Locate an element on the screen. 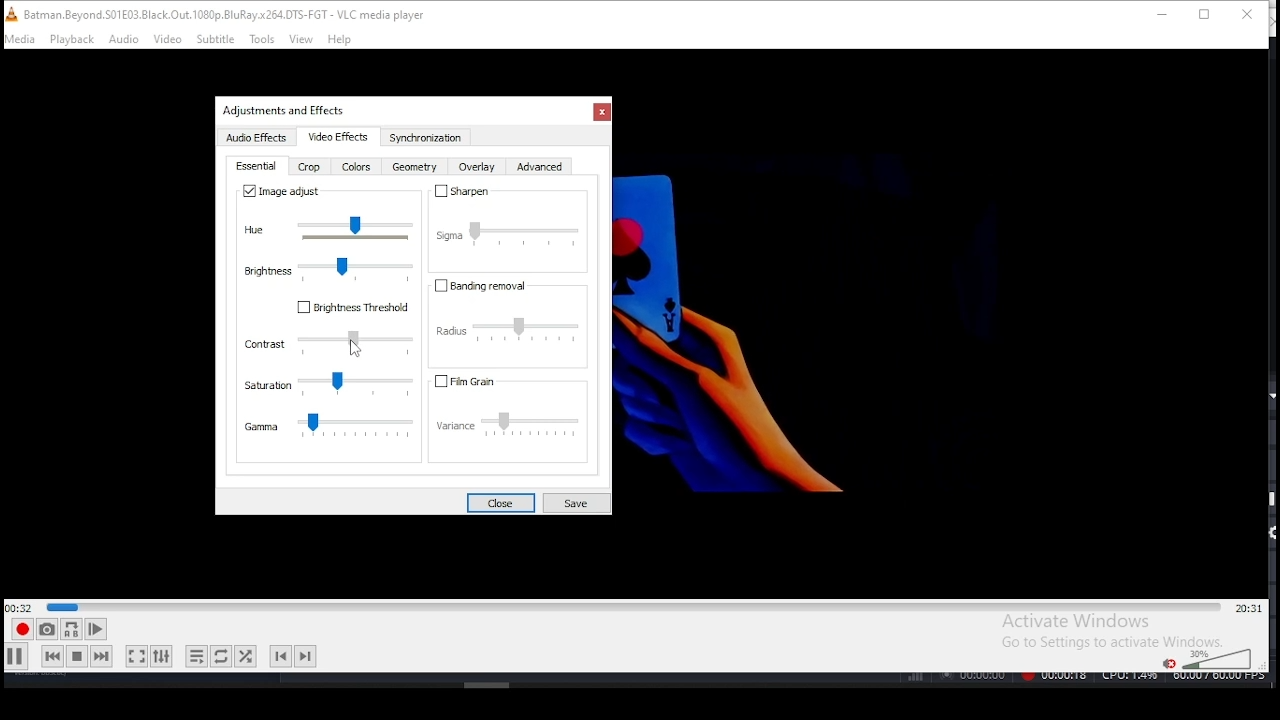 The image size is (1280, 720). loop between point A and point B continuously. Click to set point A is located at coordinates (69, 630).